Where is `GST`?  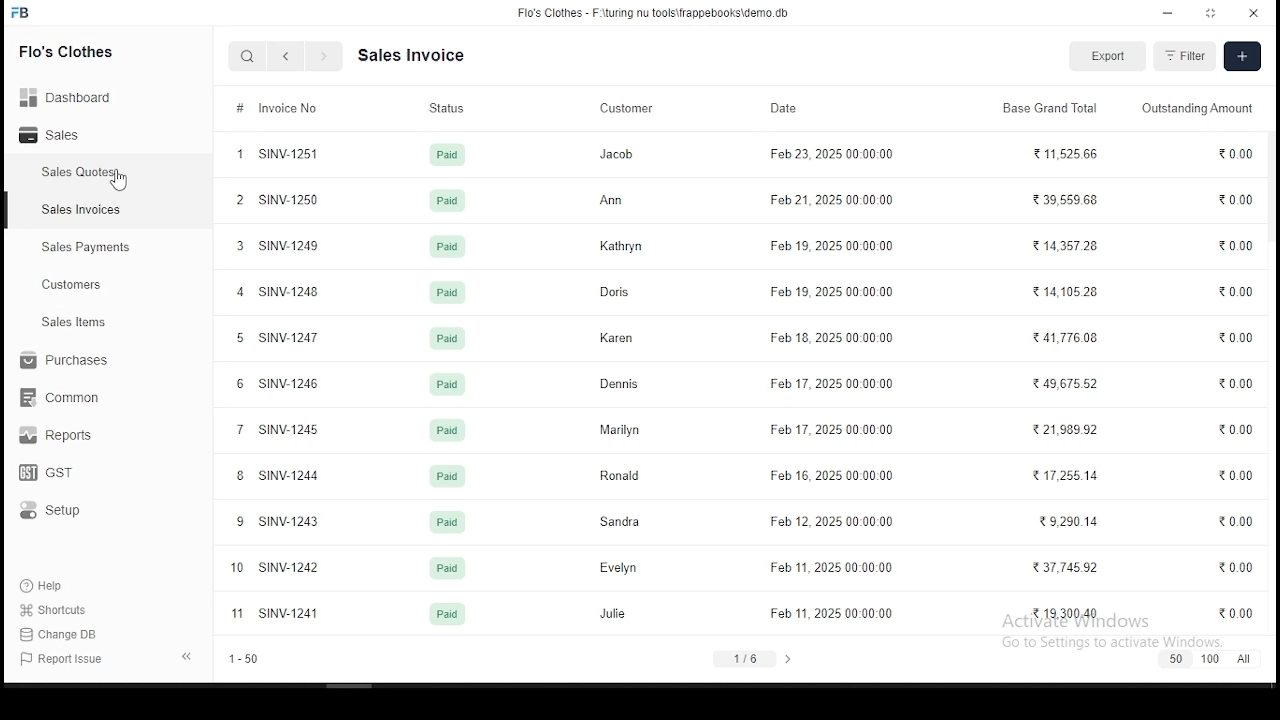
GST is located at coordinates (63, 474).